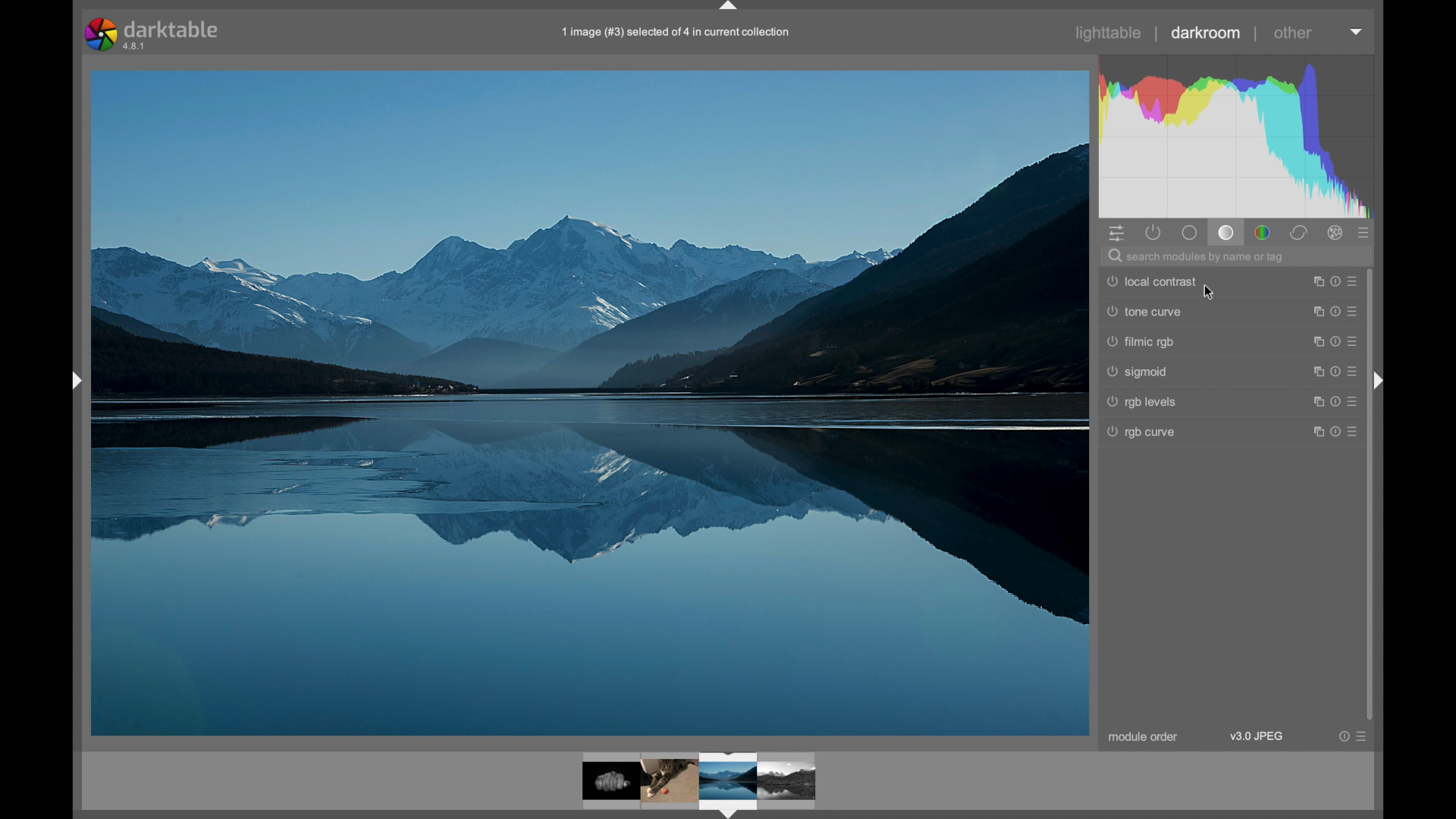  What do you see at coordinates (1205, 293) in the screenshot?
I see `cursor` at bounding box center [1205, 293].